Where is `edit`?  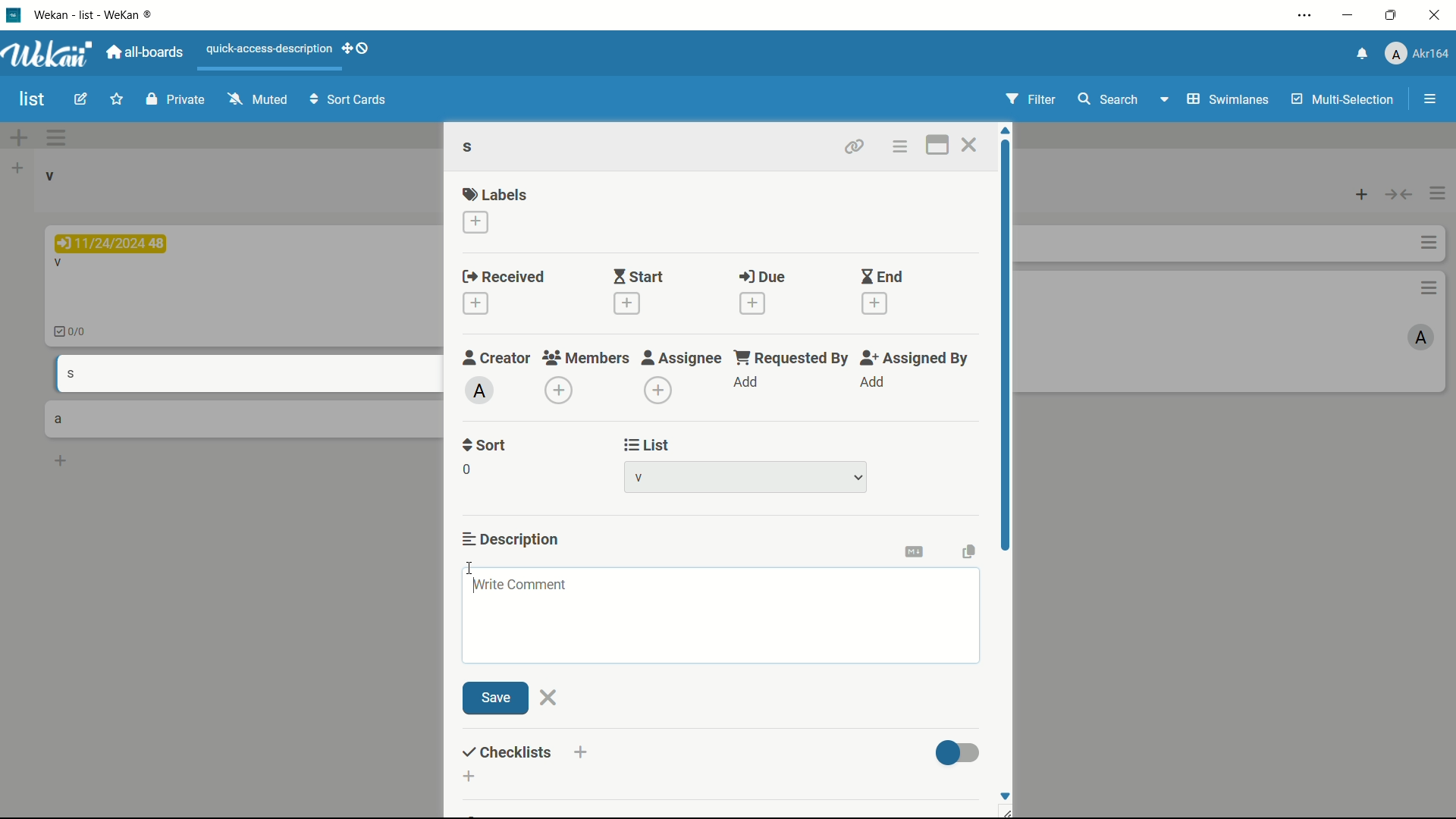
edit is located at coordinates (80, 100).